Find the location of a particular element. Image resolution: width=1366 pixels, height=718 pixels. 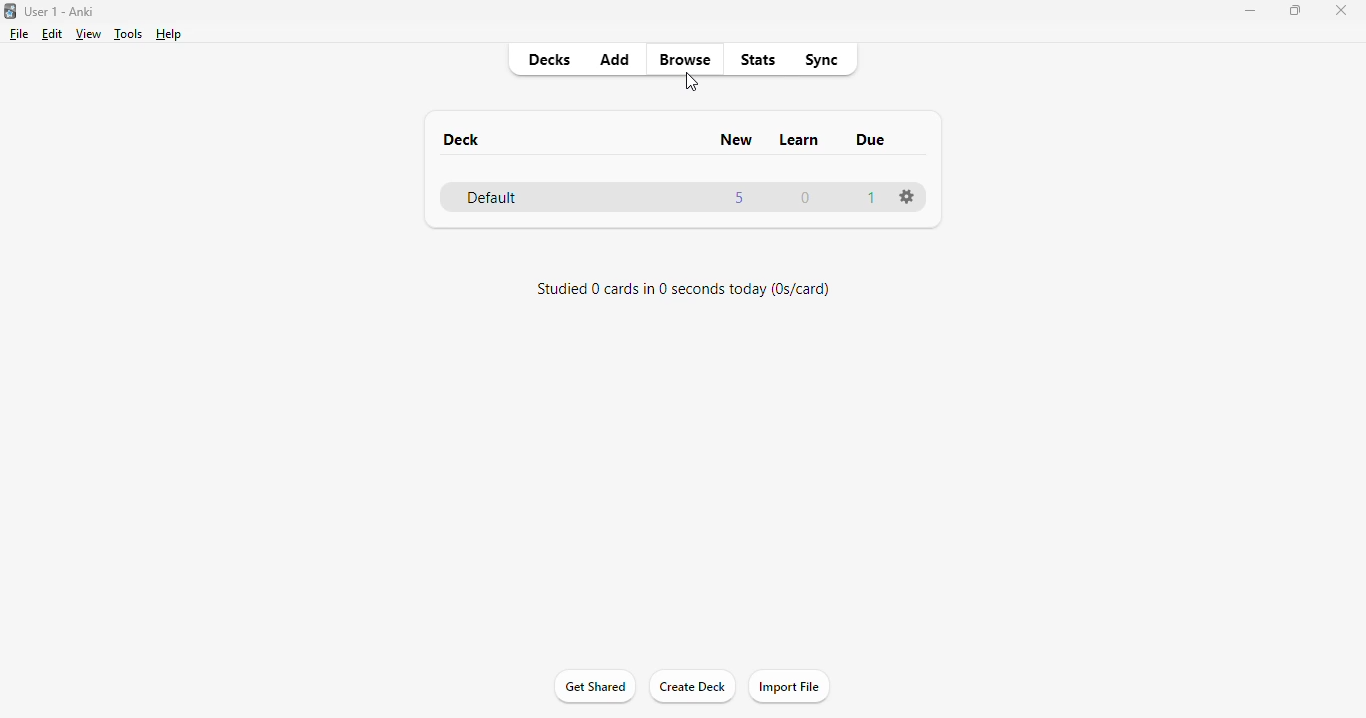

get shared is located at coordinates (593, 688).